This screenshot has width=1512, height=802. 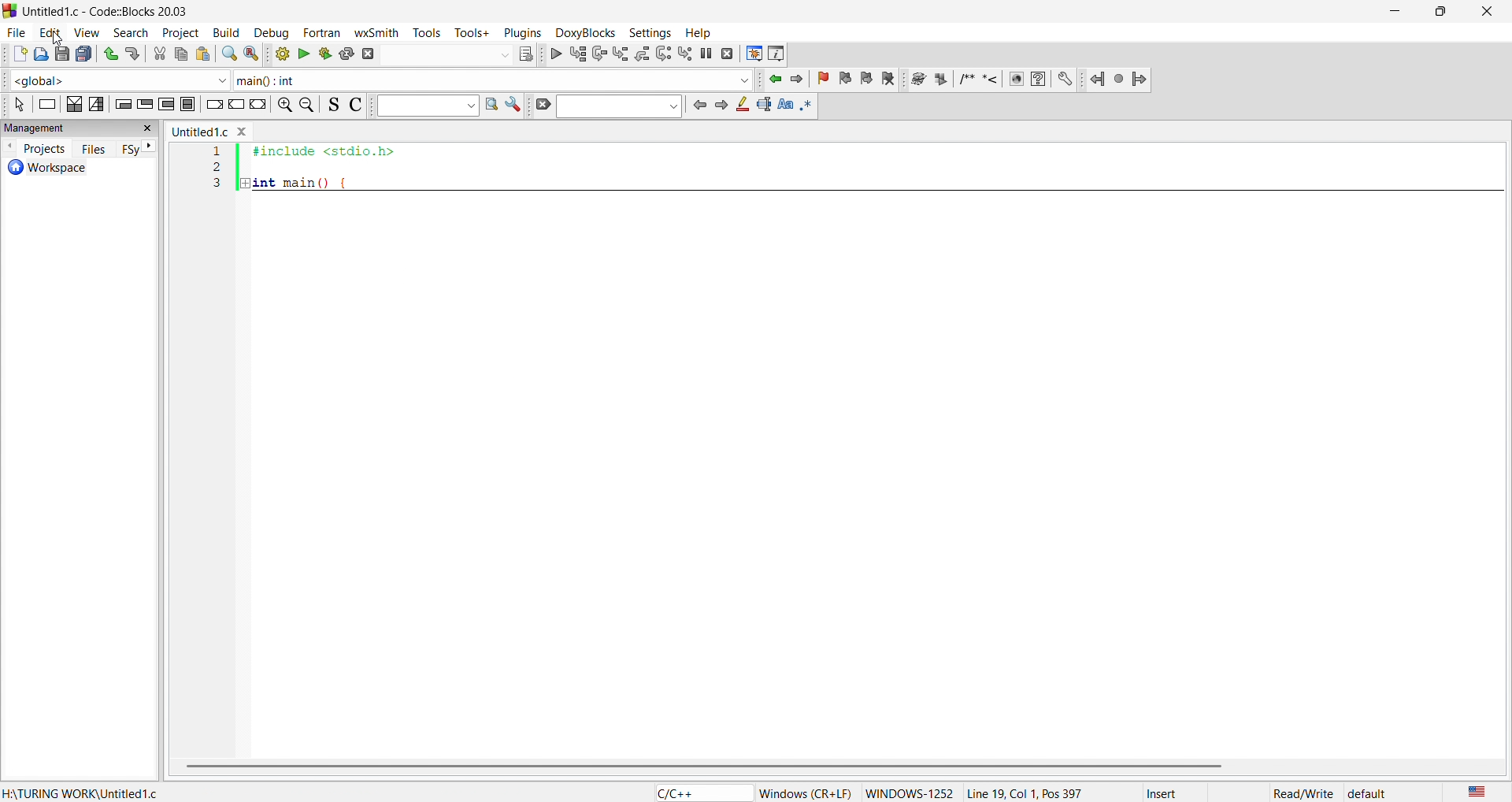 What do you see at coordinates (641, 53) in the screenshot?
I see `step out` at bounding box center [641, 53].